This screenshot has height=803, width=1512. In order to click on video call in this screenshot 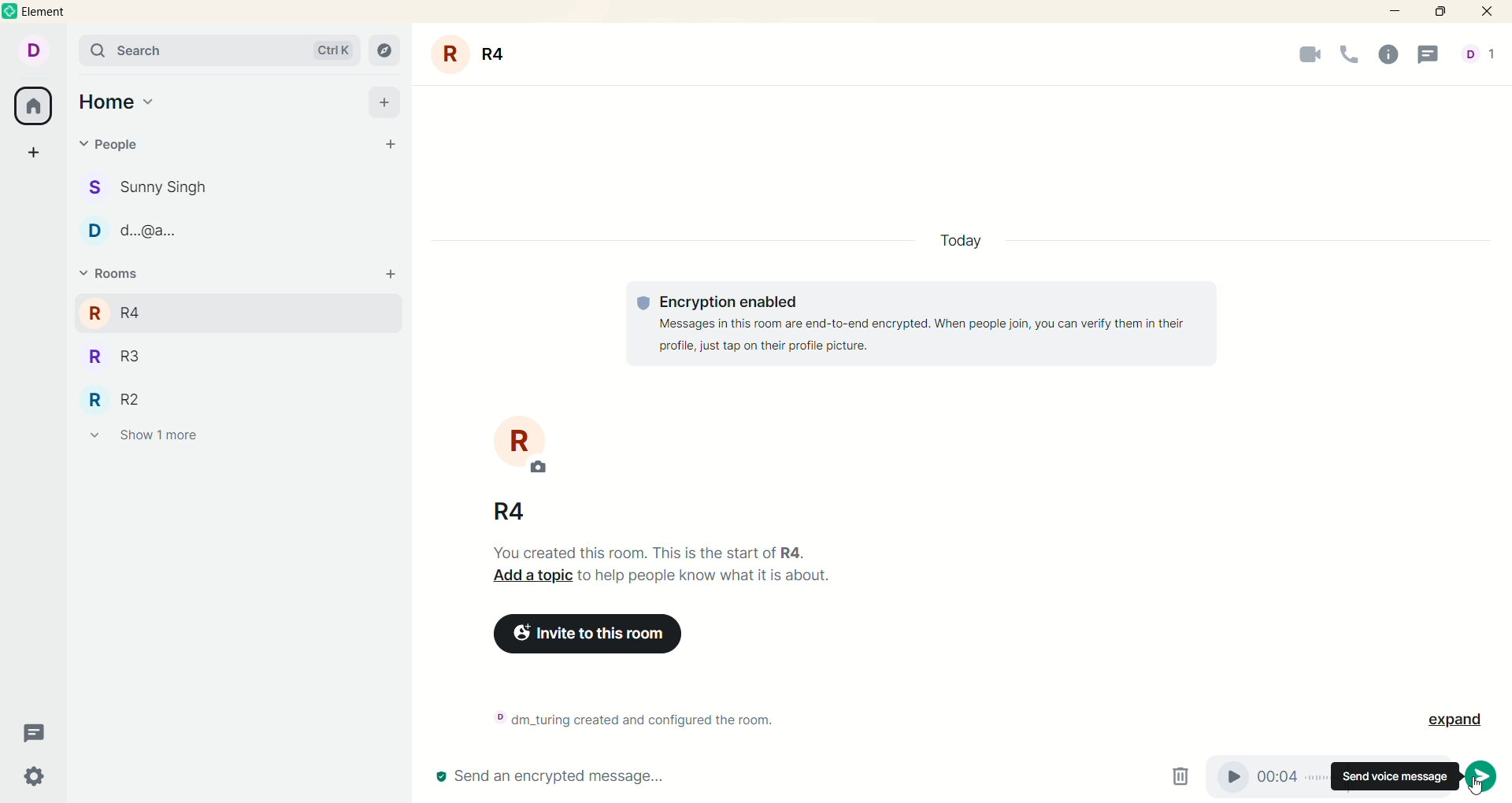, I will do `click(1299, 58)`.